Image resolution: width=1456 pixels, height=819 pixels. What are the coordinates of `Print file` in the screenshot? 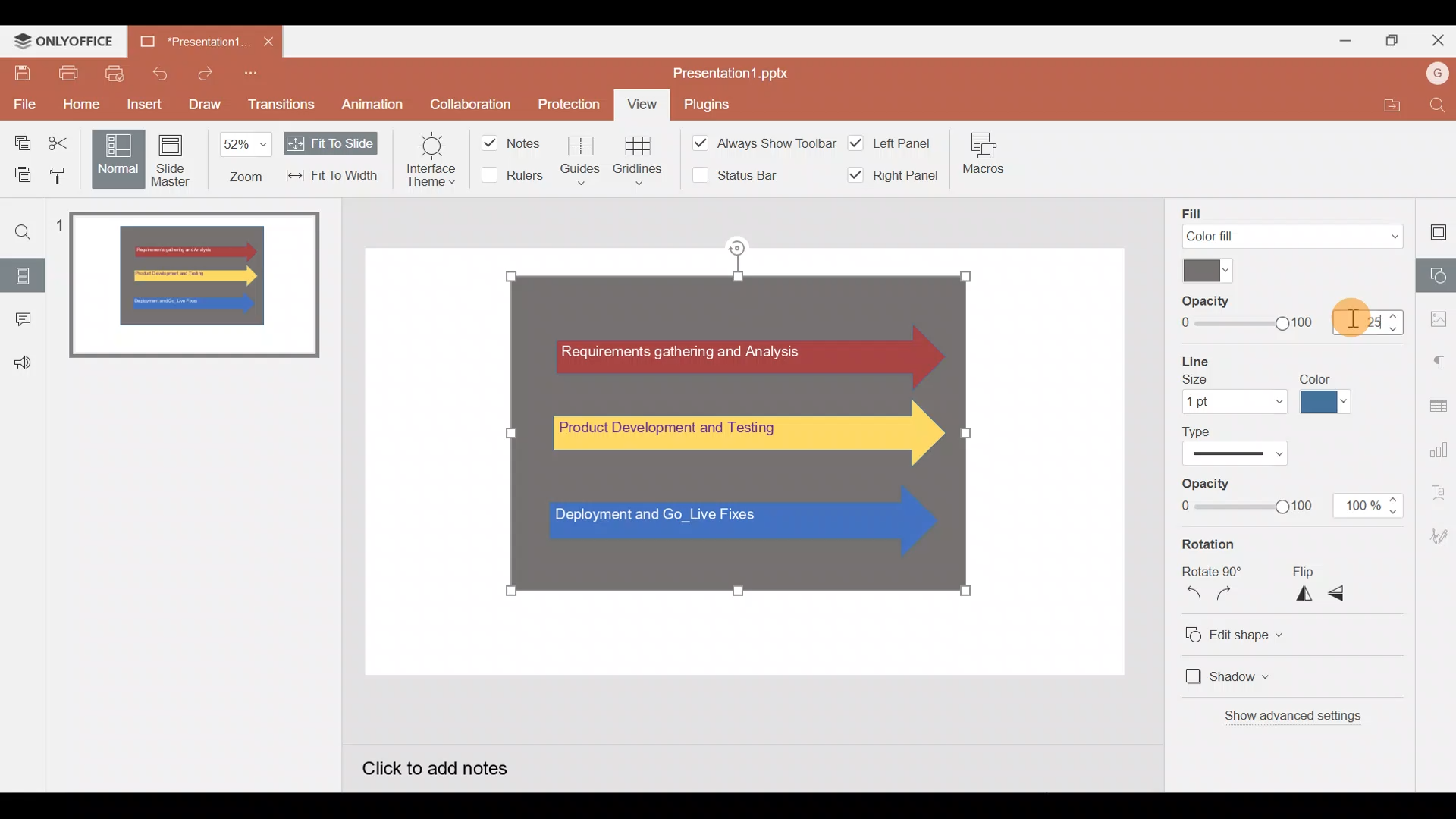 It's located at (64, 74).